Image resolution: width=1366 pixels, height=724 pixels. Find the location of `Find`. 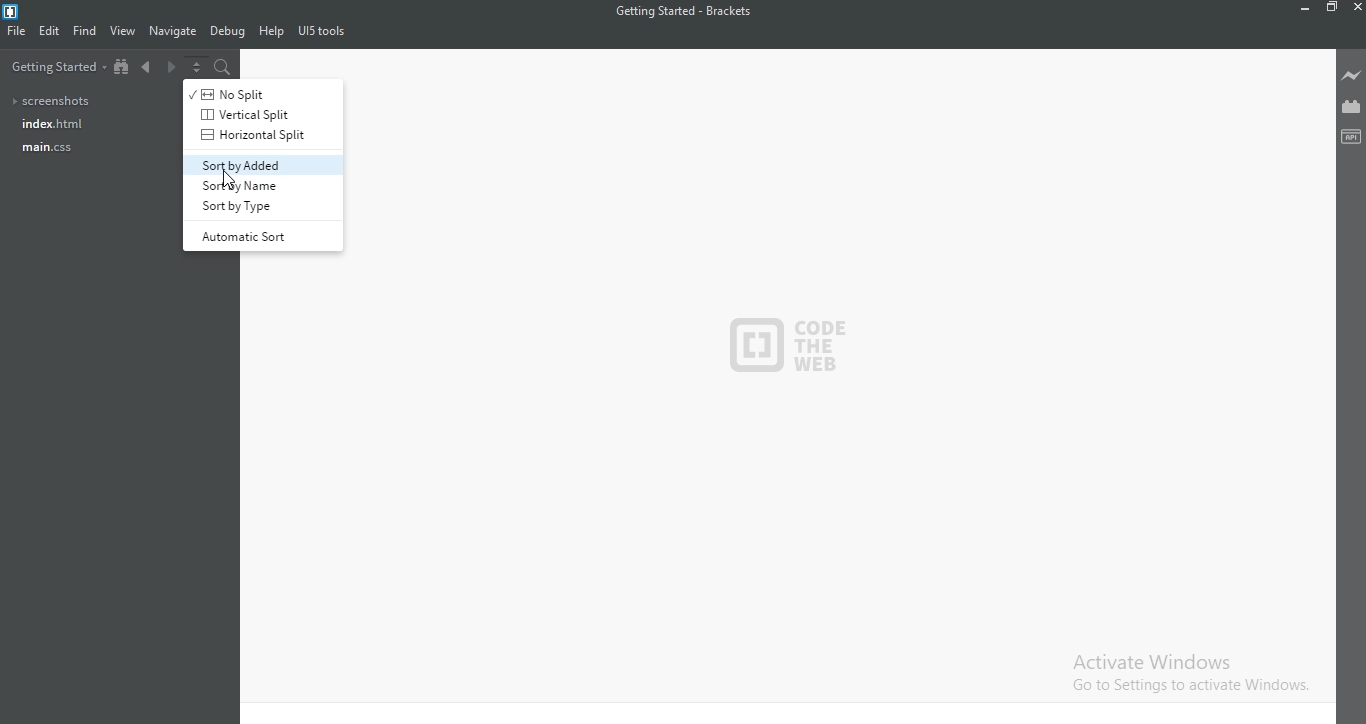

Find is located at coordinates (85, 30).